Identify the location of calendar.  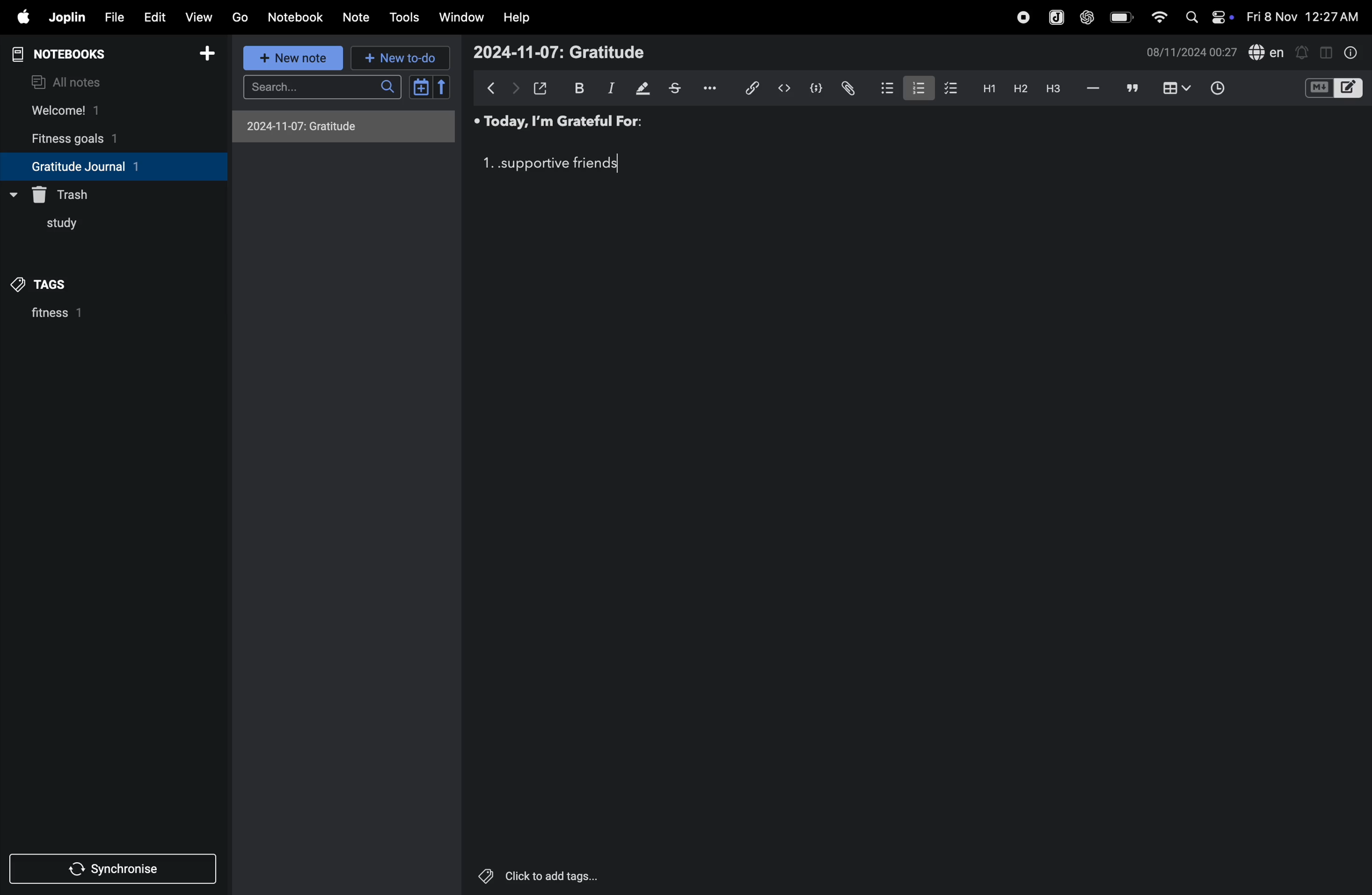
(429, 87).